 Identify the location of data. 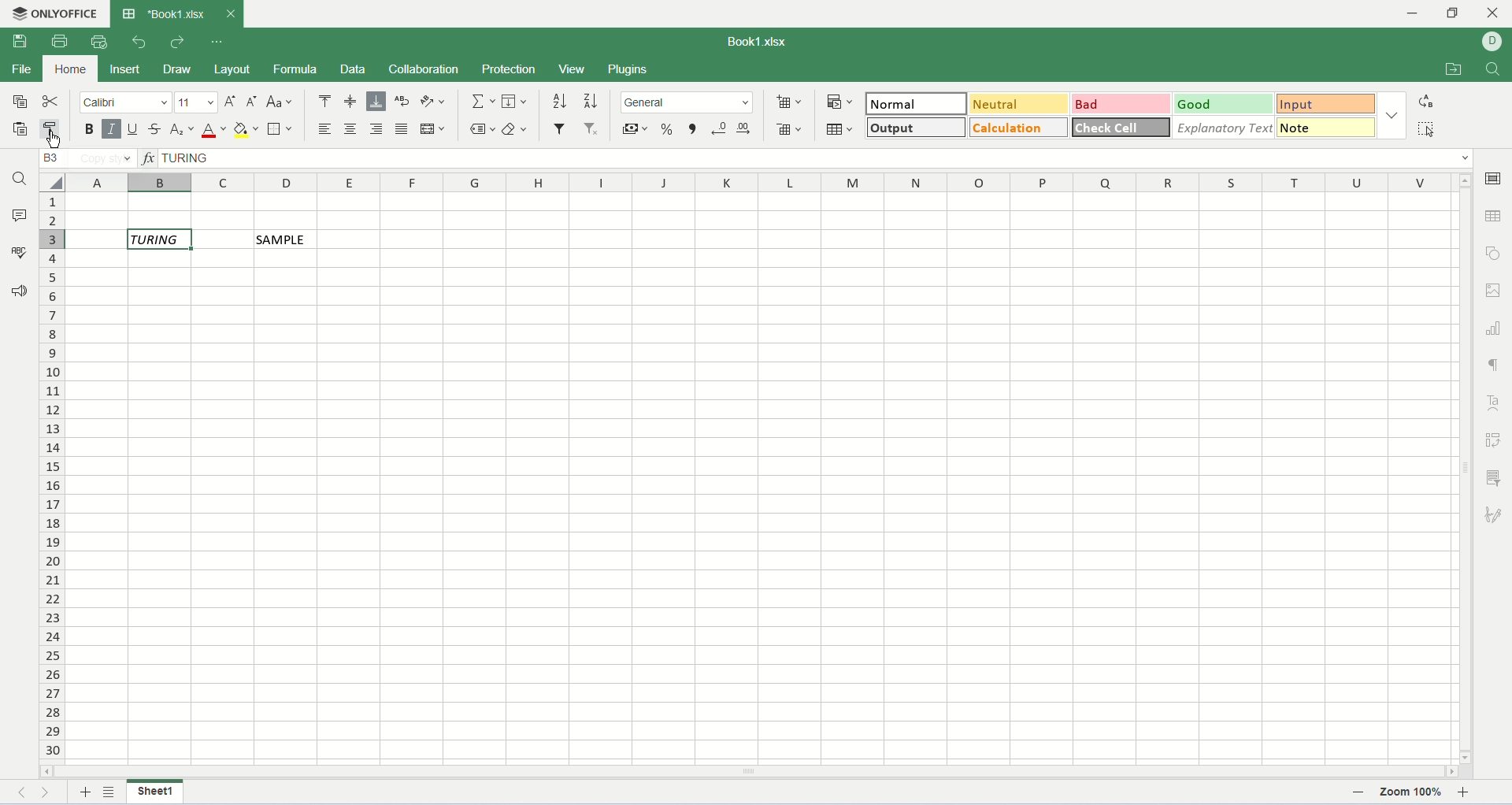
(359, 72).